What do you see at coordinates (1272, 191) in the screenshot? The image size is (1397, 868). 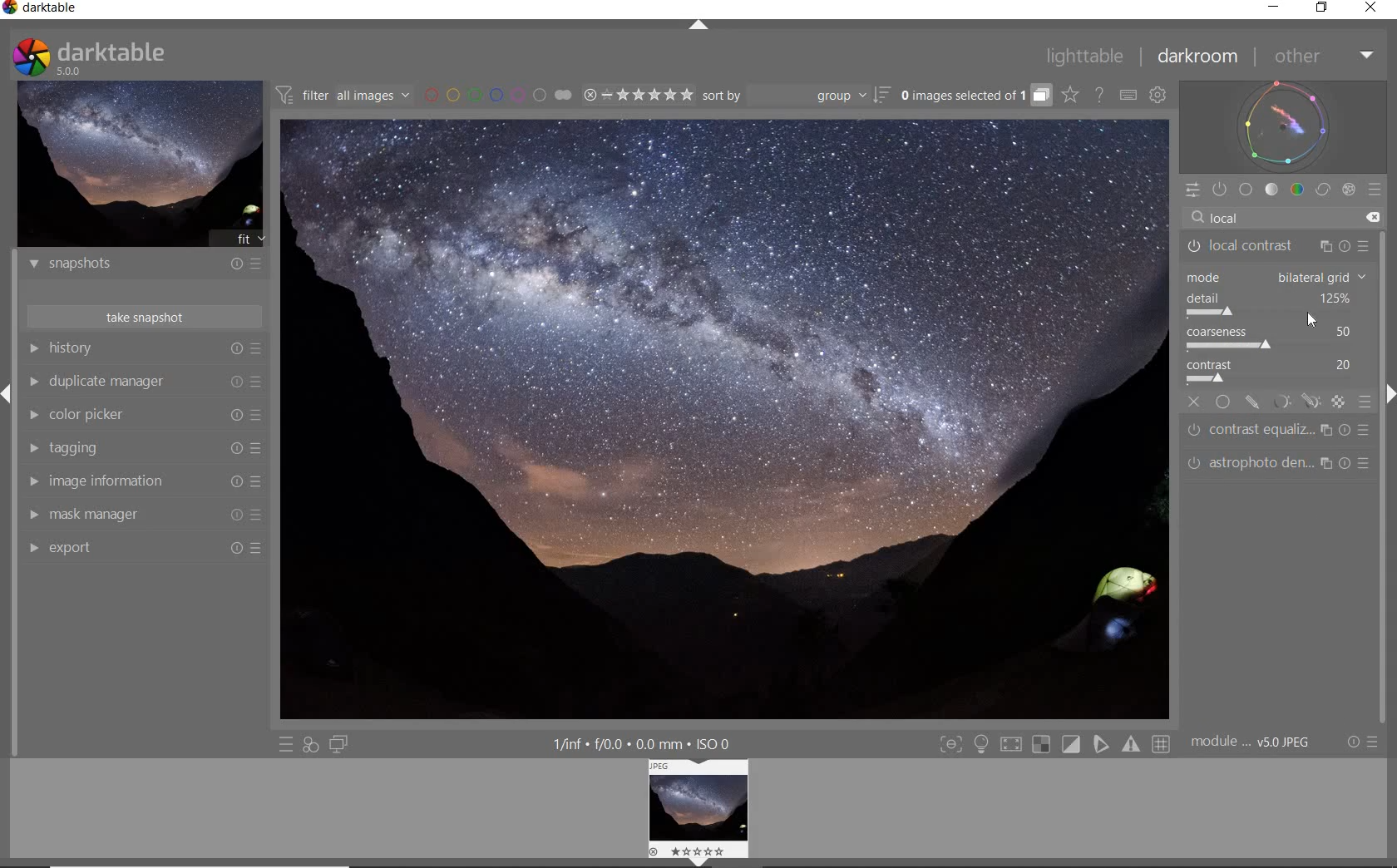 I see `TONE` at bounding box center [1272, 191].